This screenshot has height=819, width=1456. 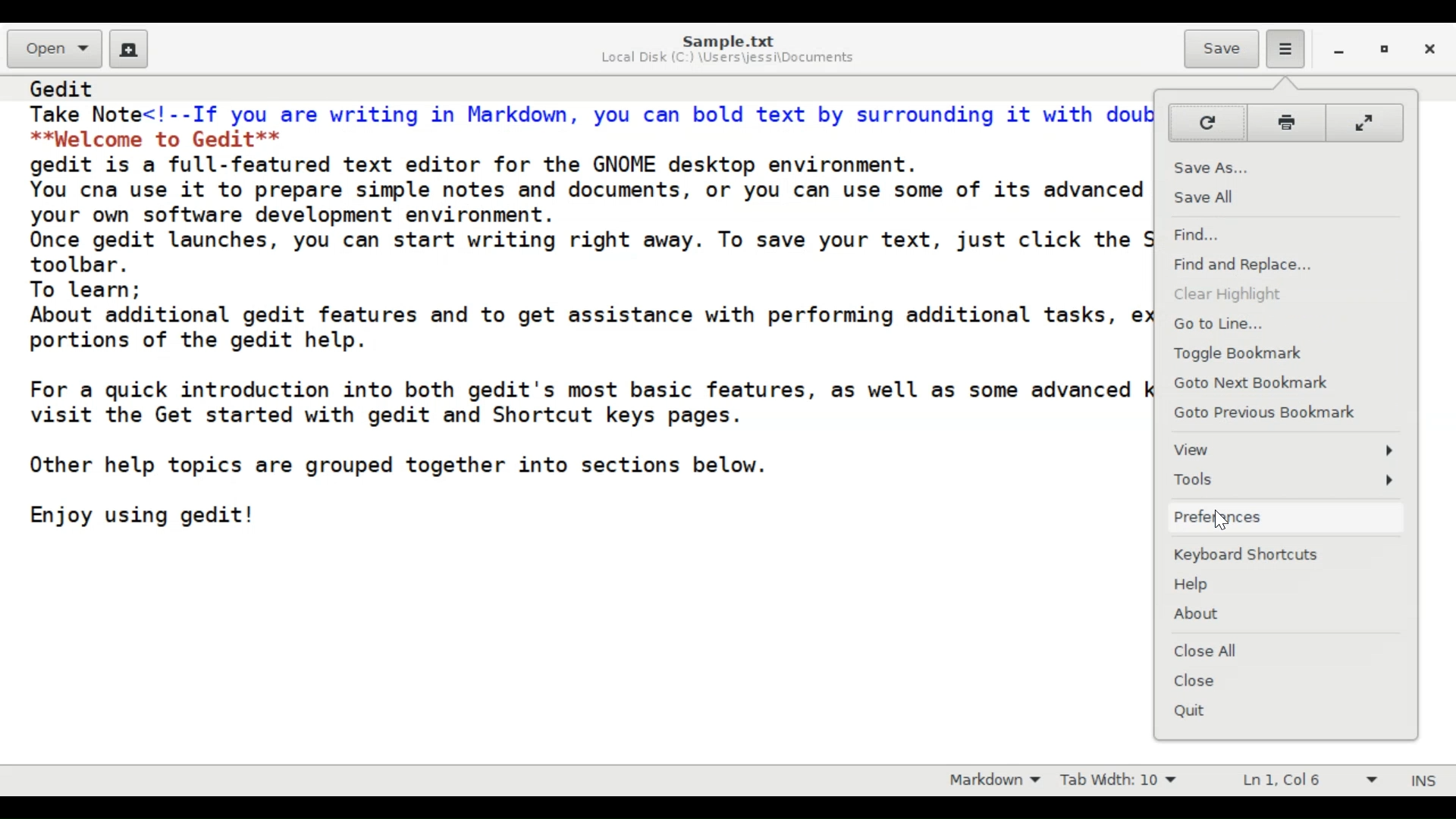 What do you see at coordinates (1301, 782) in the screenshot?
I see `Line & Column Preference (Ln 1, Col 6)` at bounding box center [1301, 782].